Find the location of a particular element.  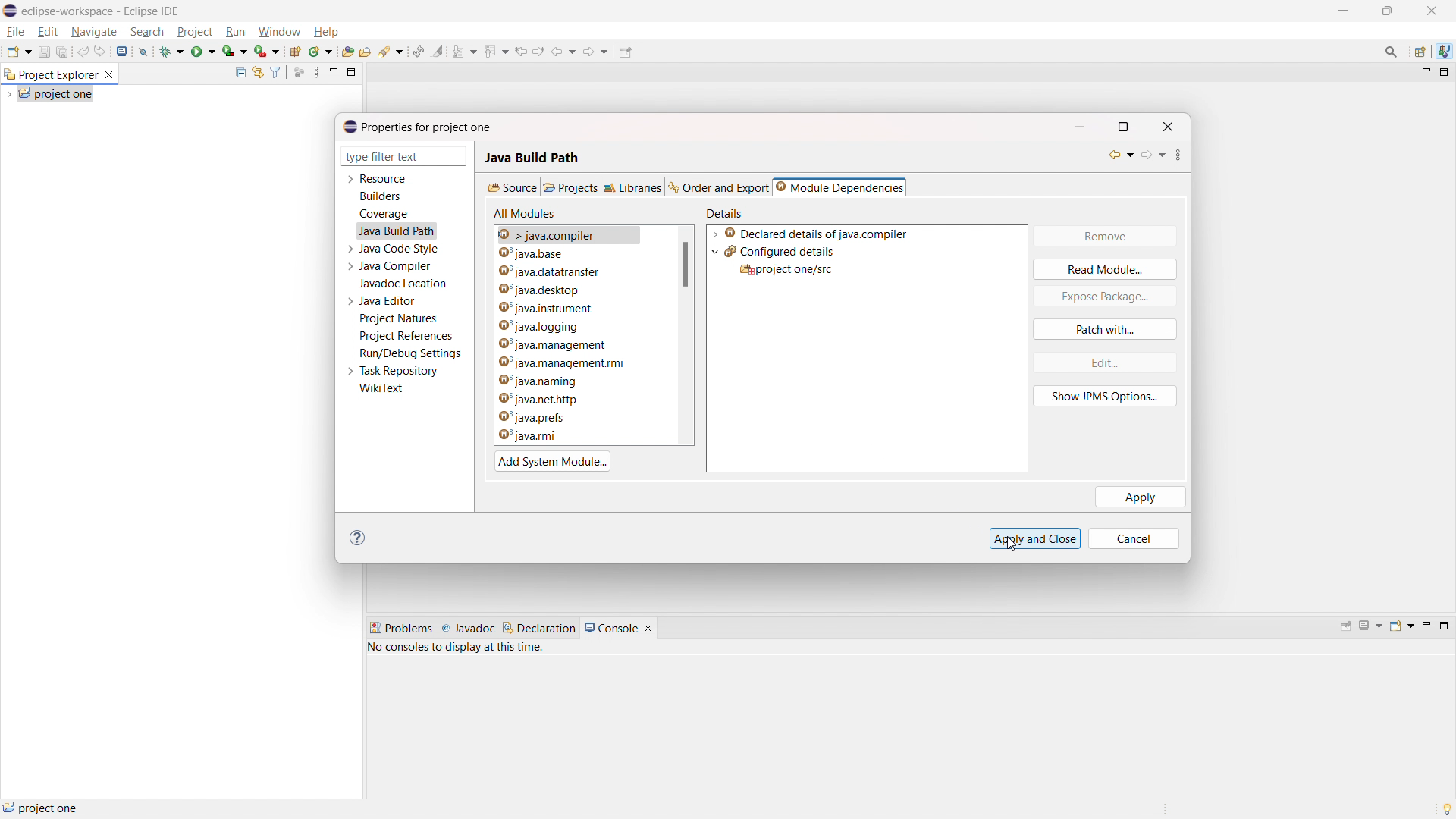

search is located at coordinates (148, 31).